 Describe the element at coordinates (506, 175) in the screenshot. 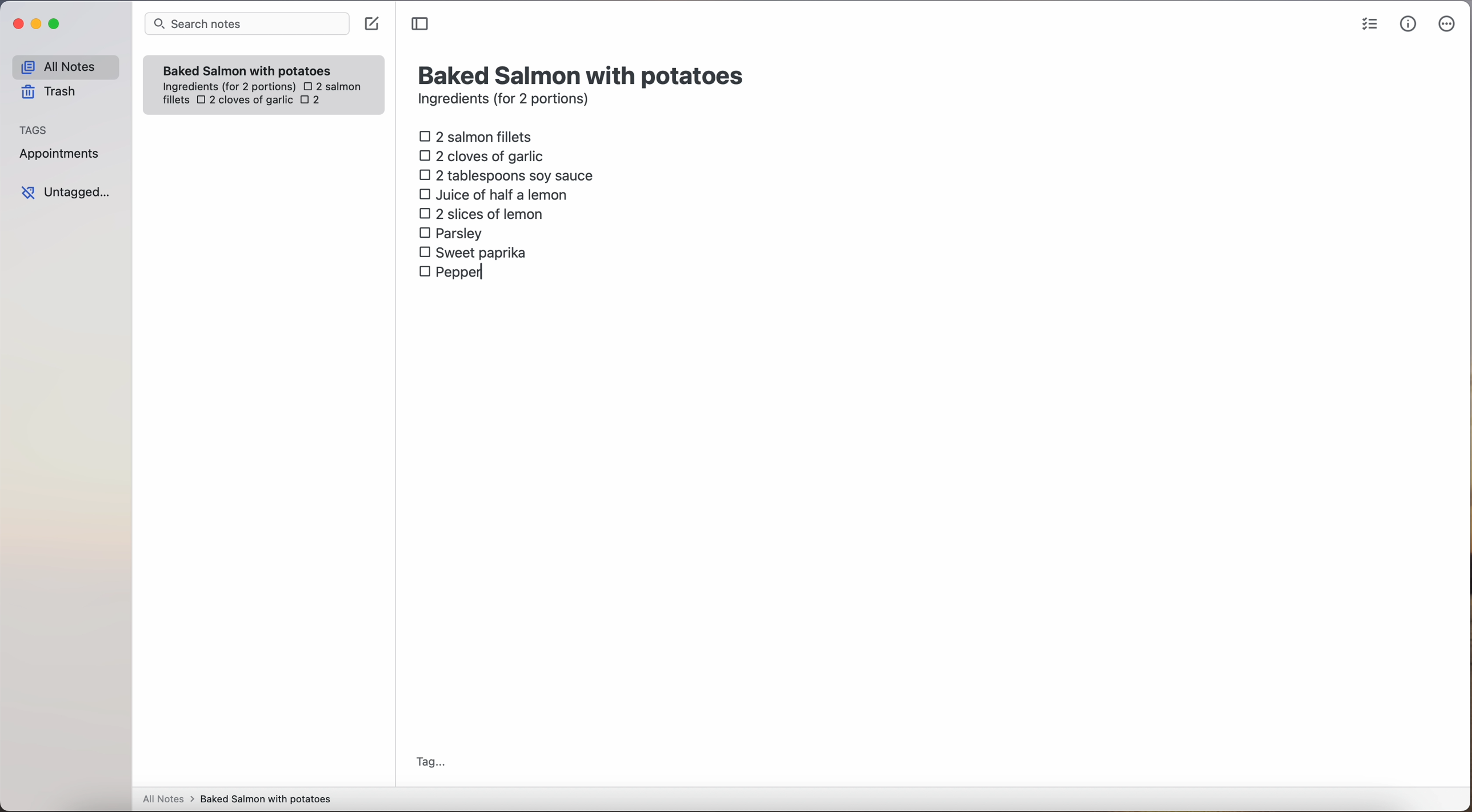

I see `2 tablespoons soy sauce` at that location.